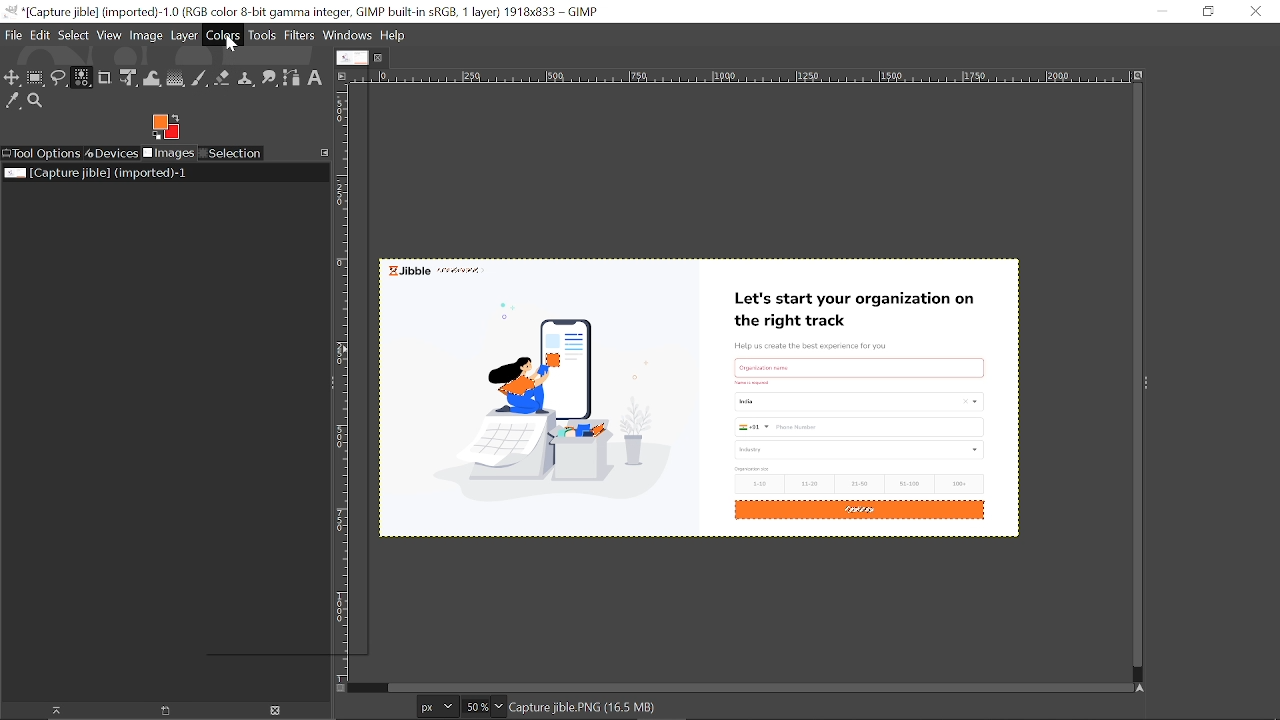 The height and width of the screenshot is (720, 1280). Describe the element at coordinates (383, 57) in the screenshot. I see `Close current tab` at that location.